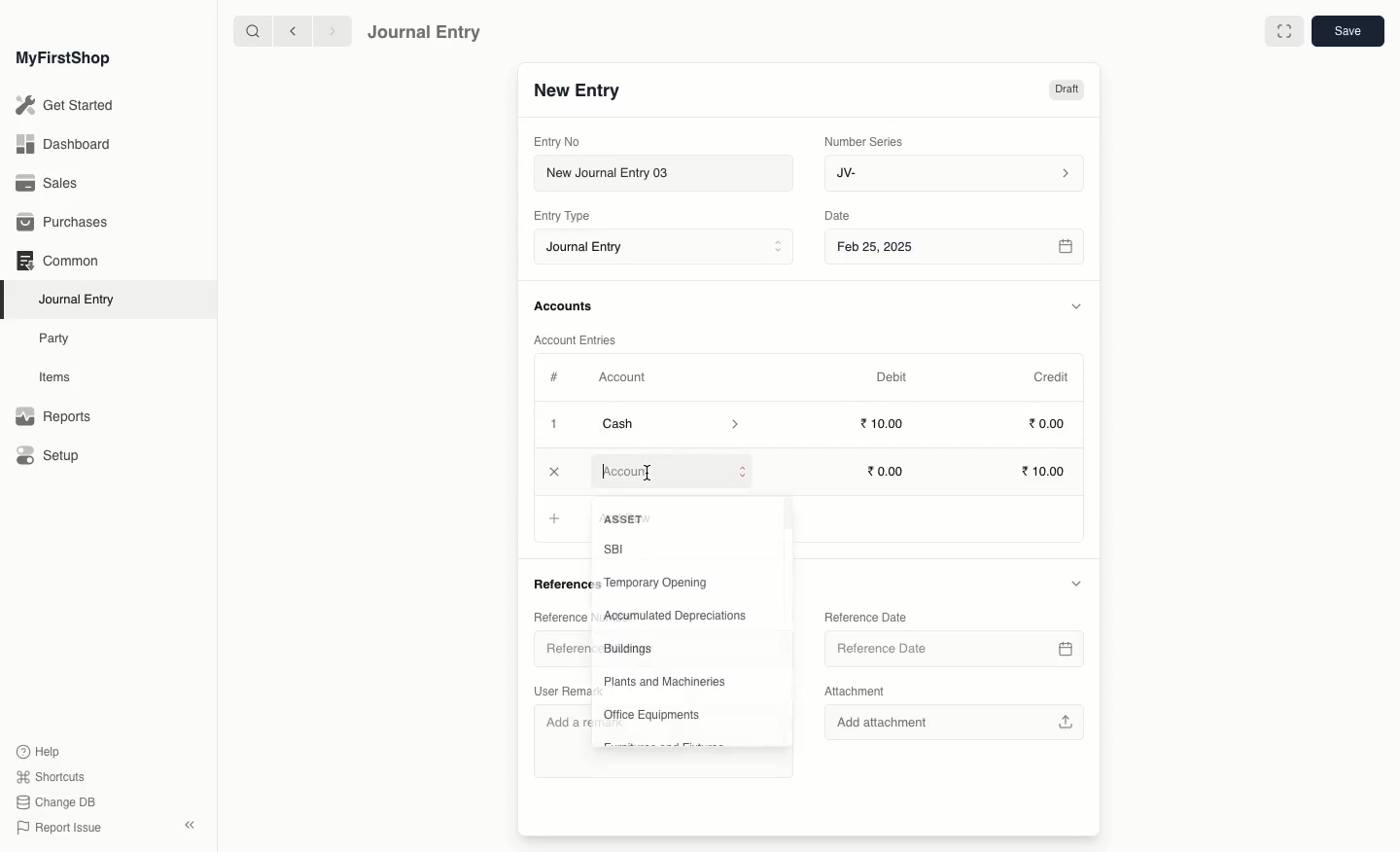 The image size is (1400, 852). I want to click on Add, so click(559, 518).